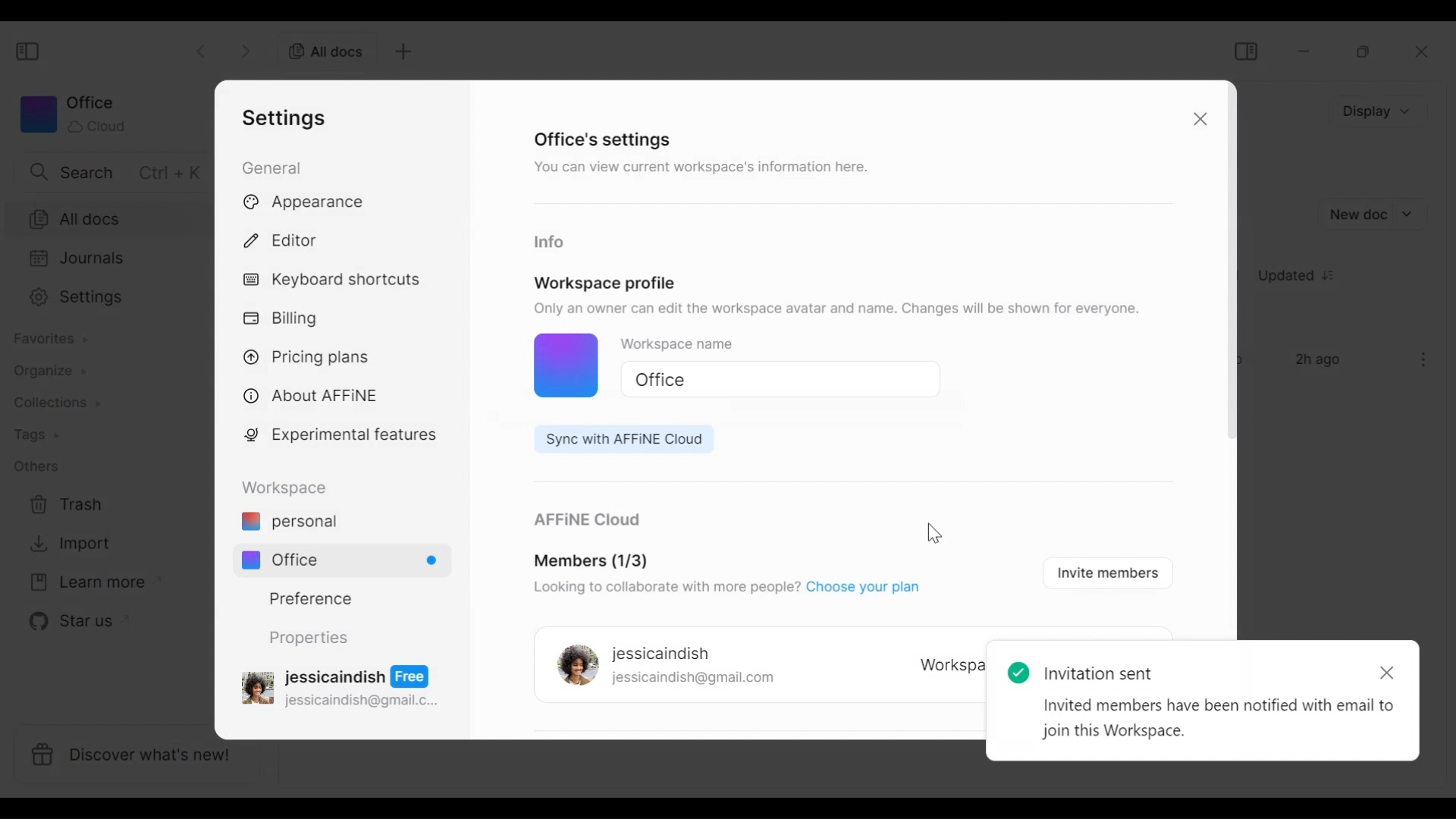 This screenshot has height=819, width=1456. What do you see at coordinates (694, 679) in the screenshot?
I see `jessicaindish@gmail.com` at bounding box center [694, 679].